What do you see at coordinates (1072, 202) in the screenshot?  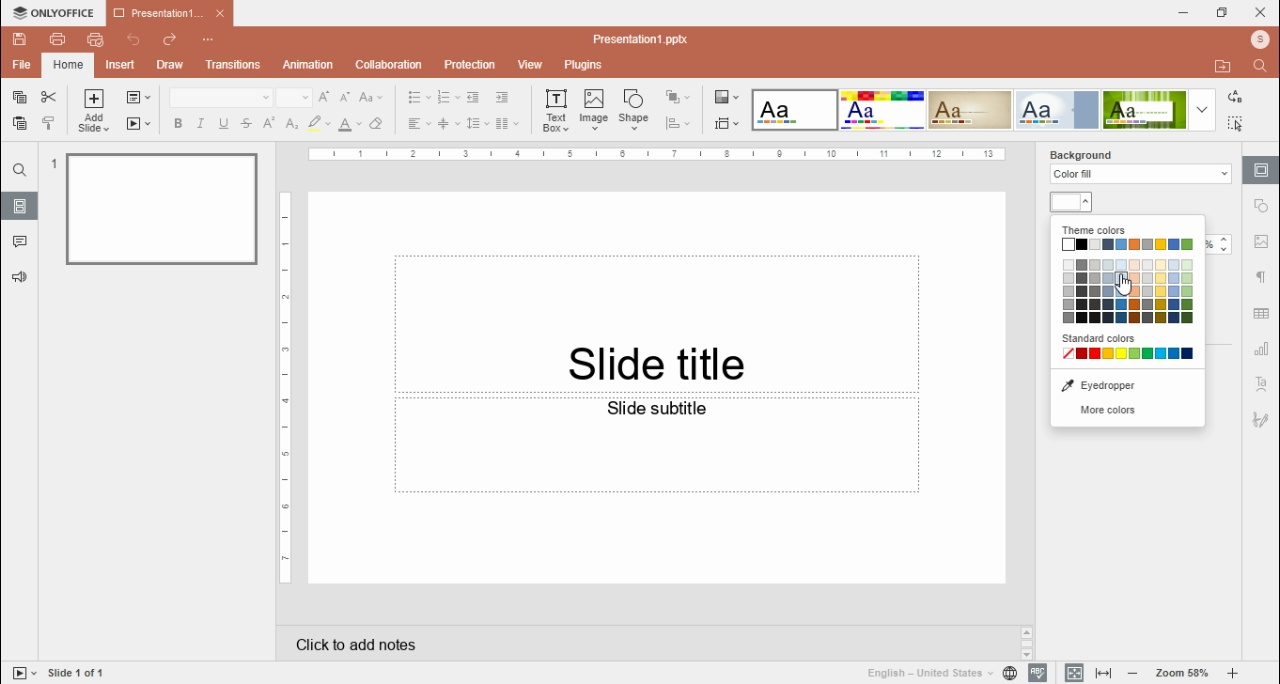 I see `color` at bounding box center [1072, 202].